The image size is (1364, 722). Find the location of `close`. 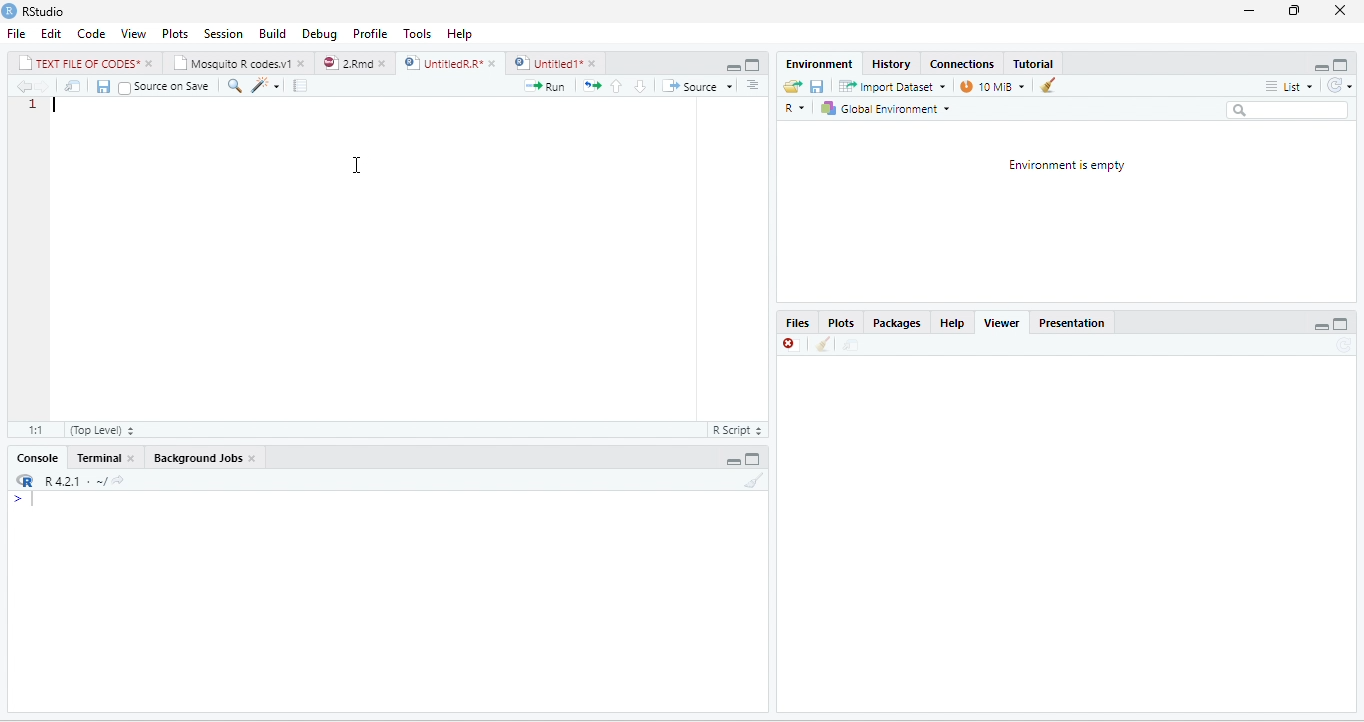

close is located at coordinates (304, 63).